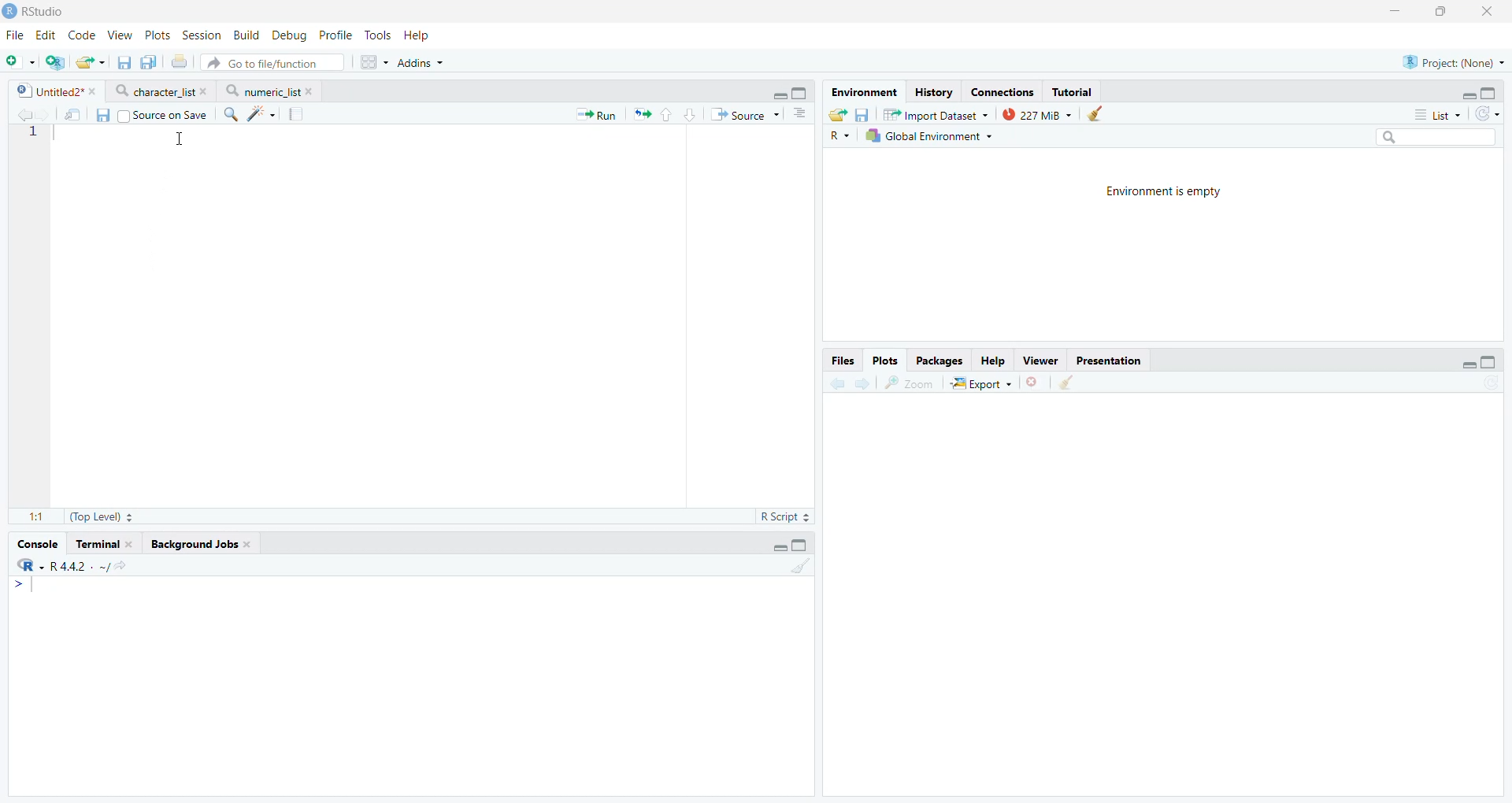  I want to click on R Script, so click(786, 517).